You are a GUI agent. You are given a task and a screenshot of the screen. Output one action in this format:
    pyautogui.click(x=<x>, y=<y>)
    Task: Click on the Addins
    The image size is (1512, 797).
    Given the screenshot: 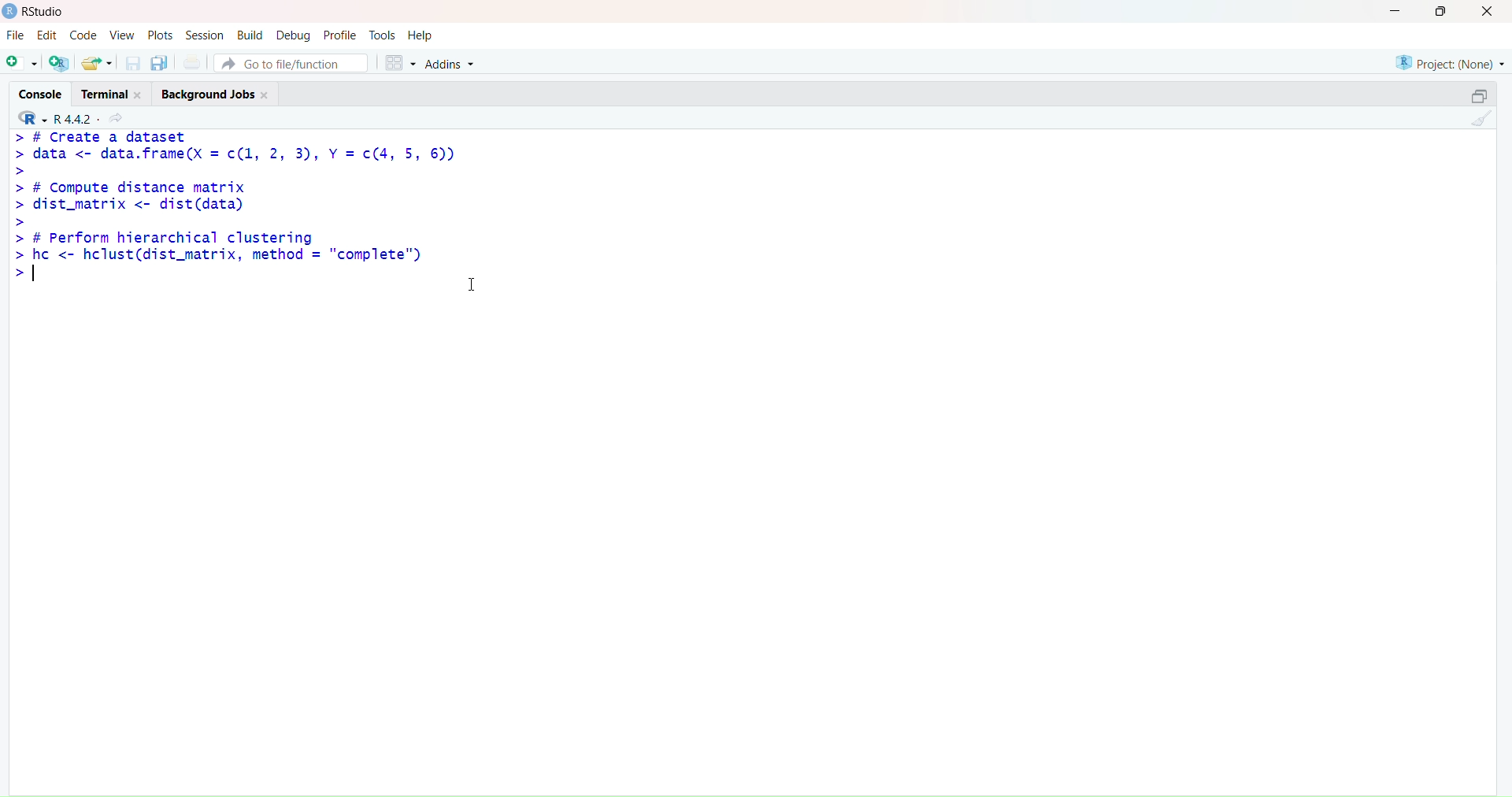 What is the action you would take?
    pyautogui.click(x=461, y=61)
    